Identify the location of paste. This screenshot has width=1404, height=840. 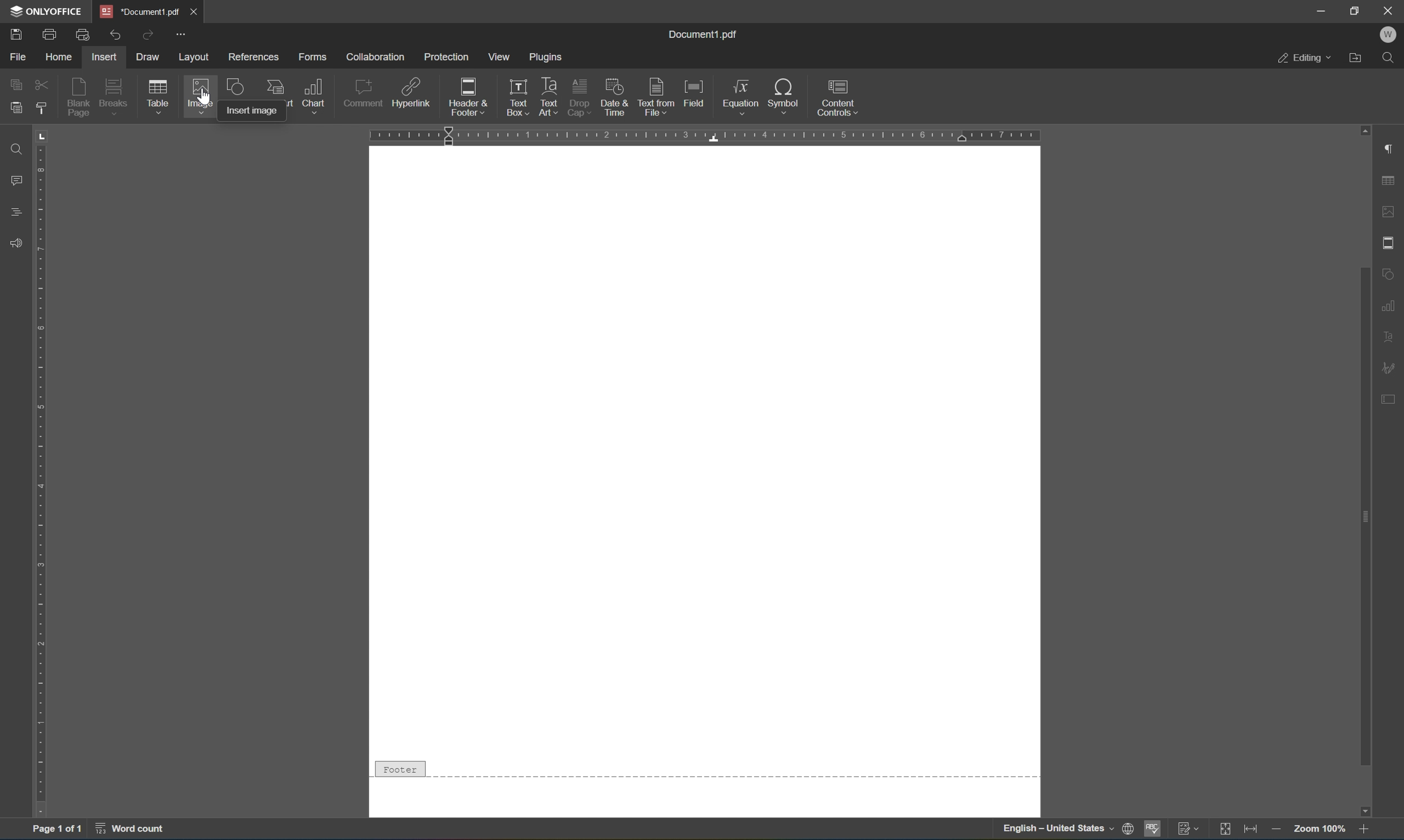
(15, 110).